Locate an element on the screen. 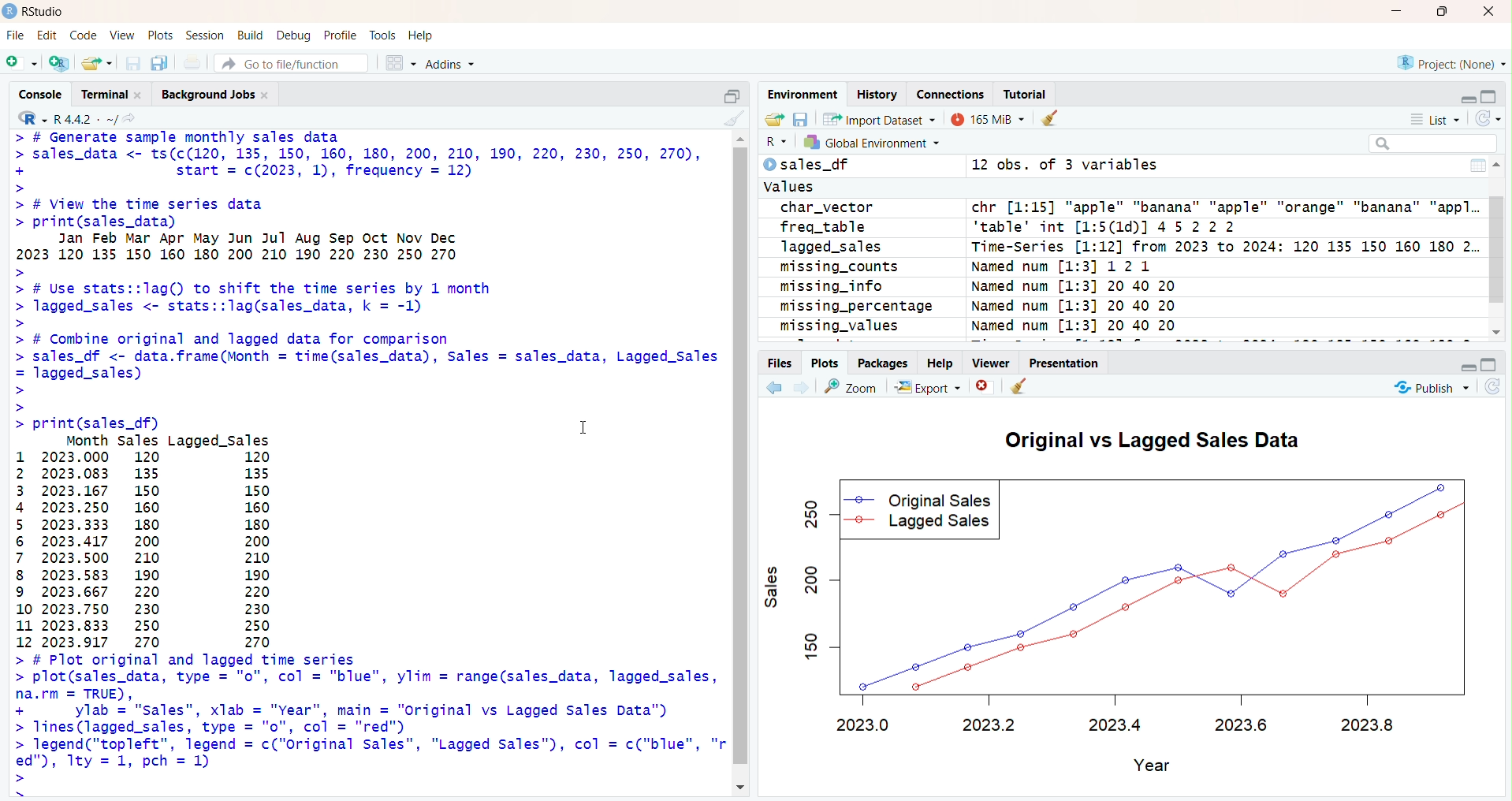 The image size is (1512, 801). export is located at coordinates (929, 387).